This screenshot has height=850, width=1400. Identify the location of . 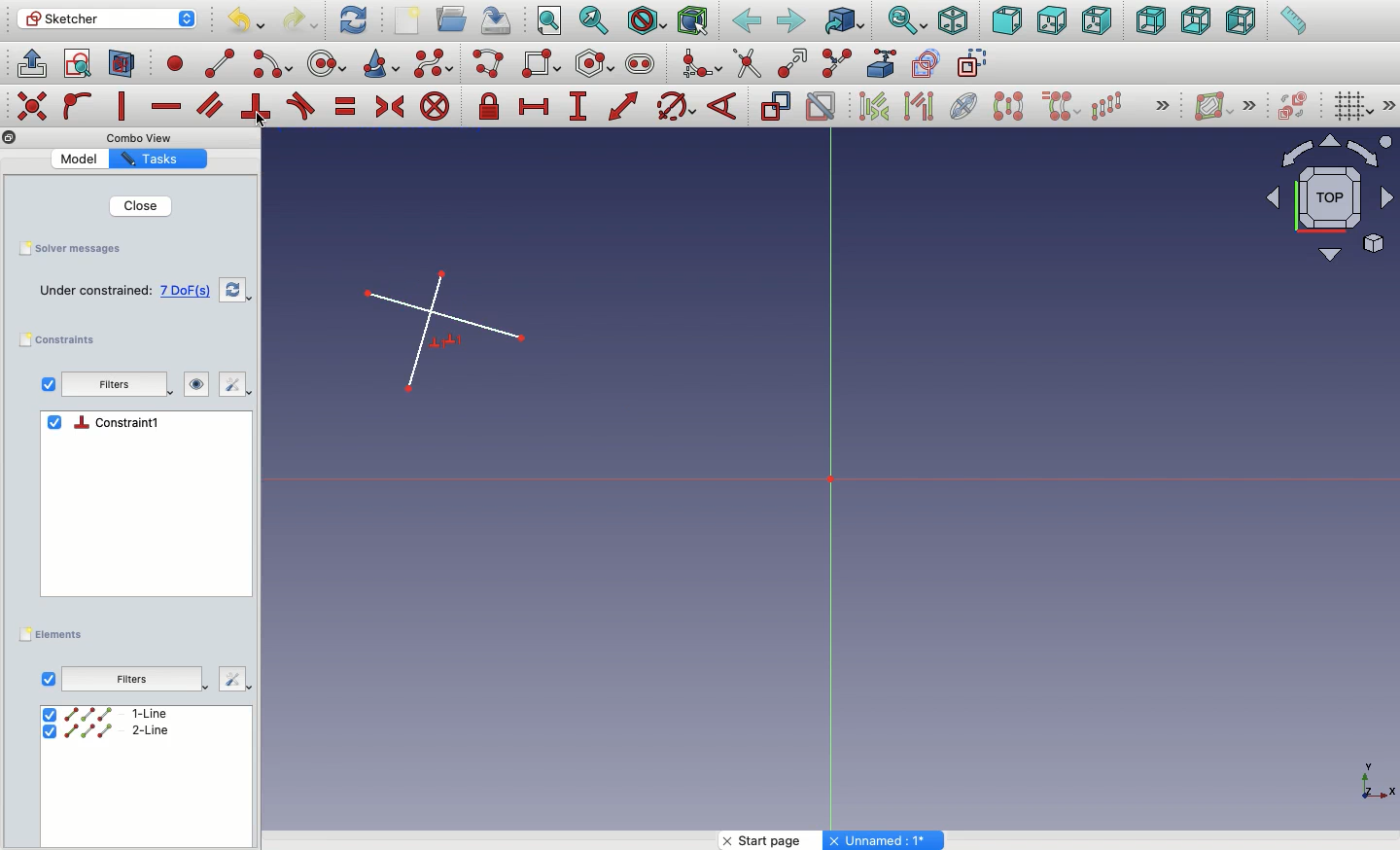
(1389, 105).